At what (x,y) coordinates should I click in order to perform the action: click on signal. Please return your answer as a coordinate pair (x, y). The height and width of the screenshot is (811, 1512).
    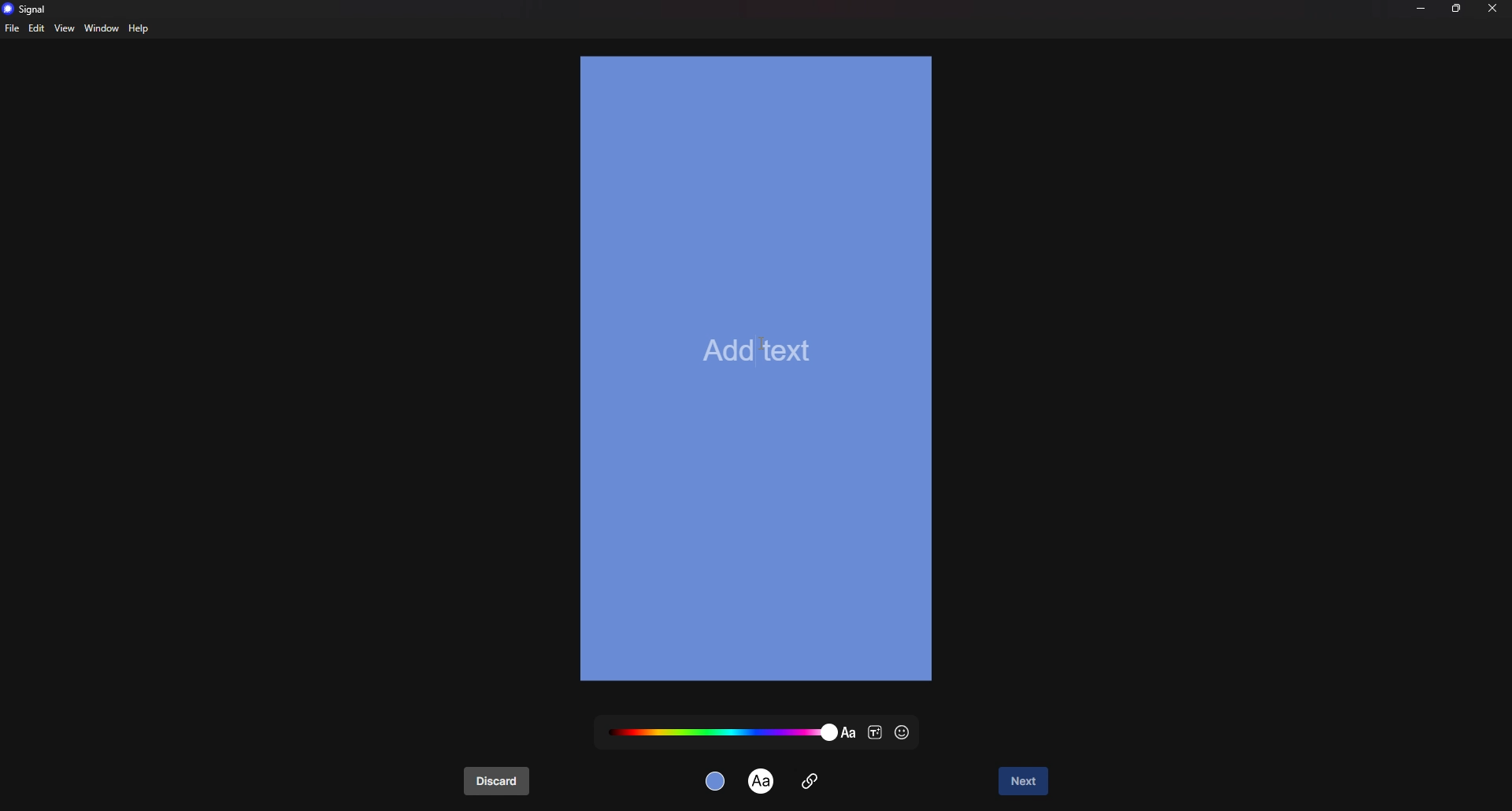
    Looking at the image, I should click on (29, 9).